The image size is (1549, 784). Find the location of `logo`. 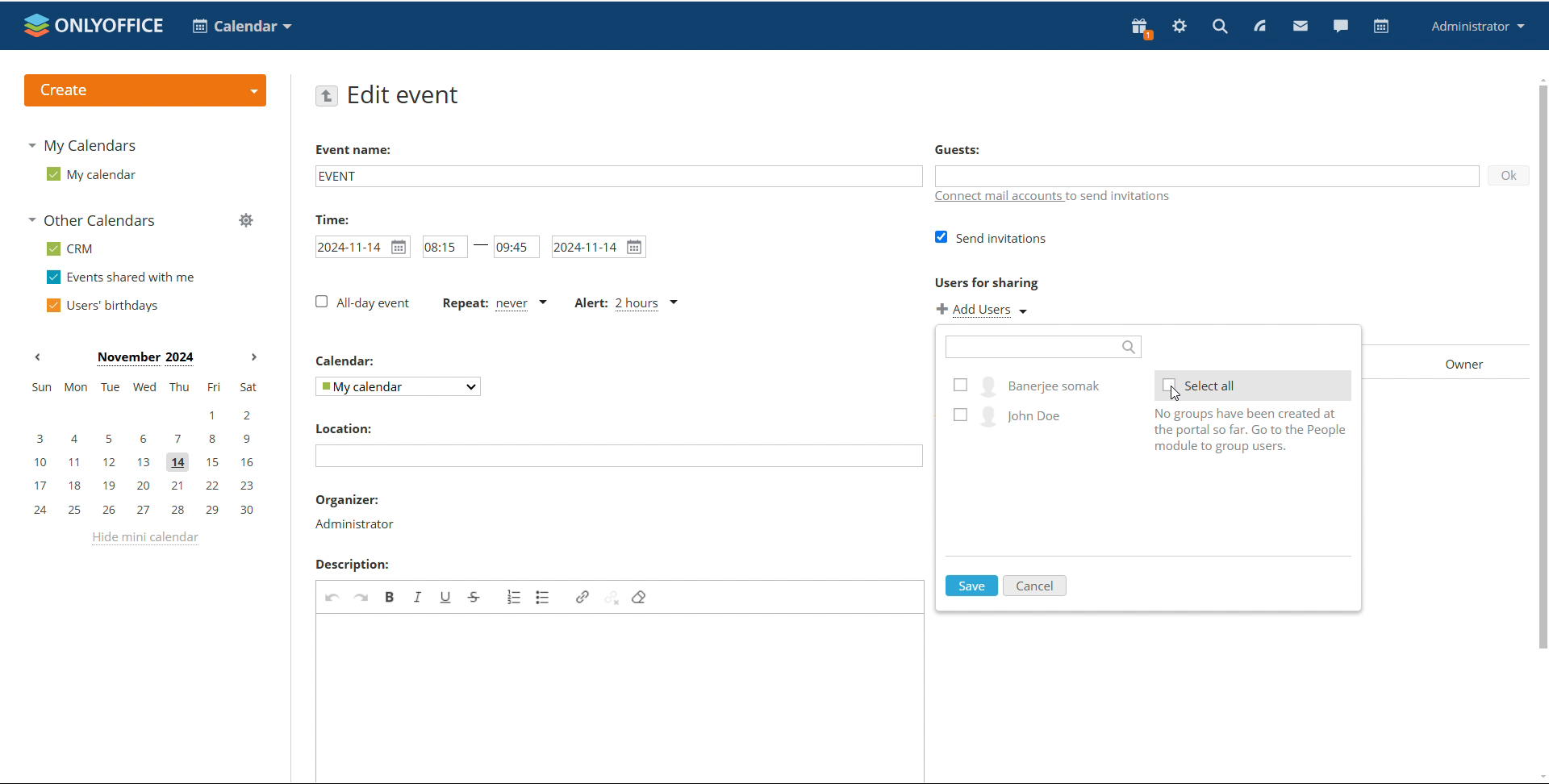

logo is located at coordinates (94, 25).